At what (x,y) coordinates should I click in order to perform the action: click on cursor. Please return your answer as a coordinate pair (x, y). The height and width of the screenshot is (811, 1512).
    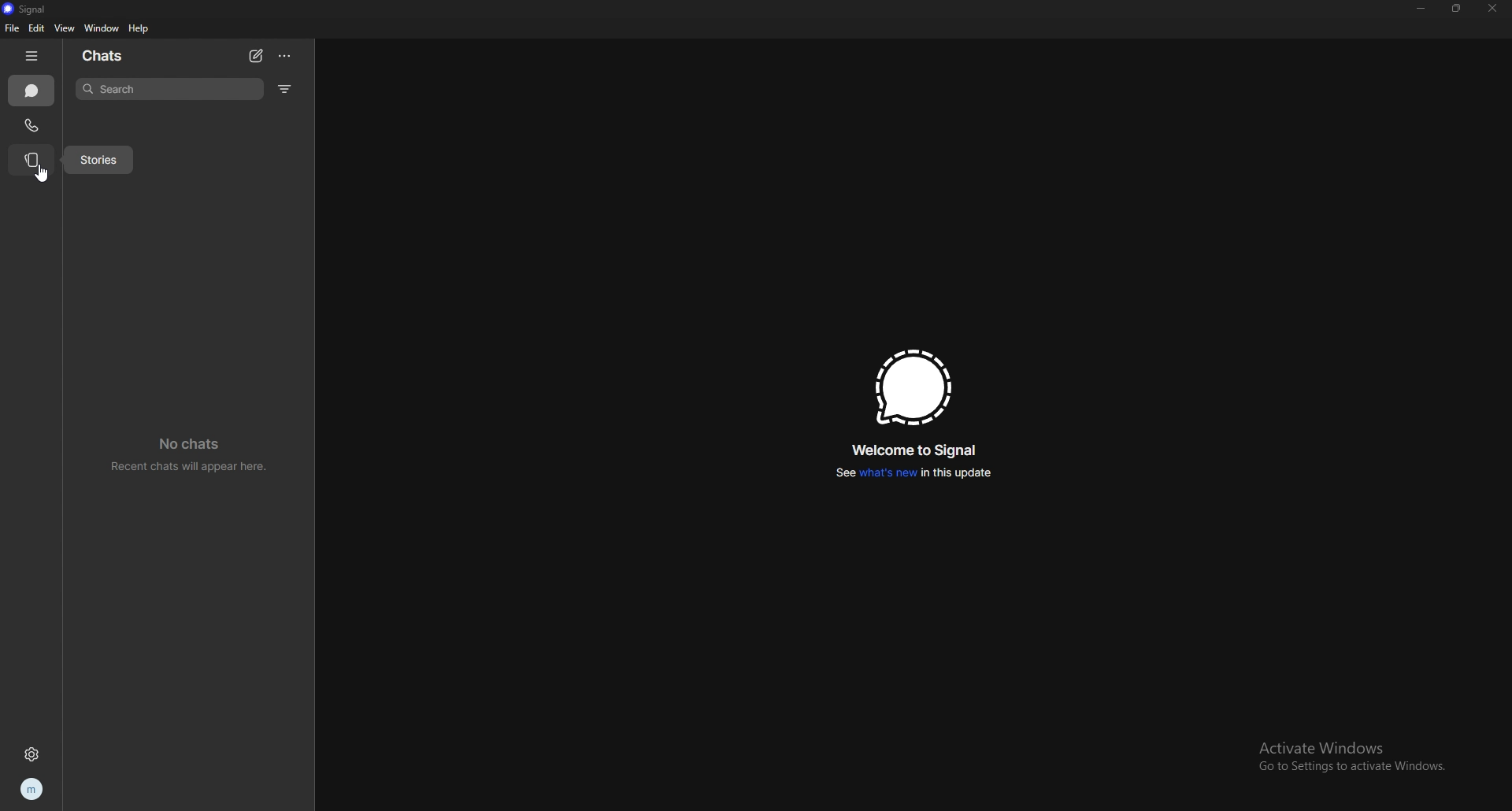
    Looking at the image, I should click on (40, 176).